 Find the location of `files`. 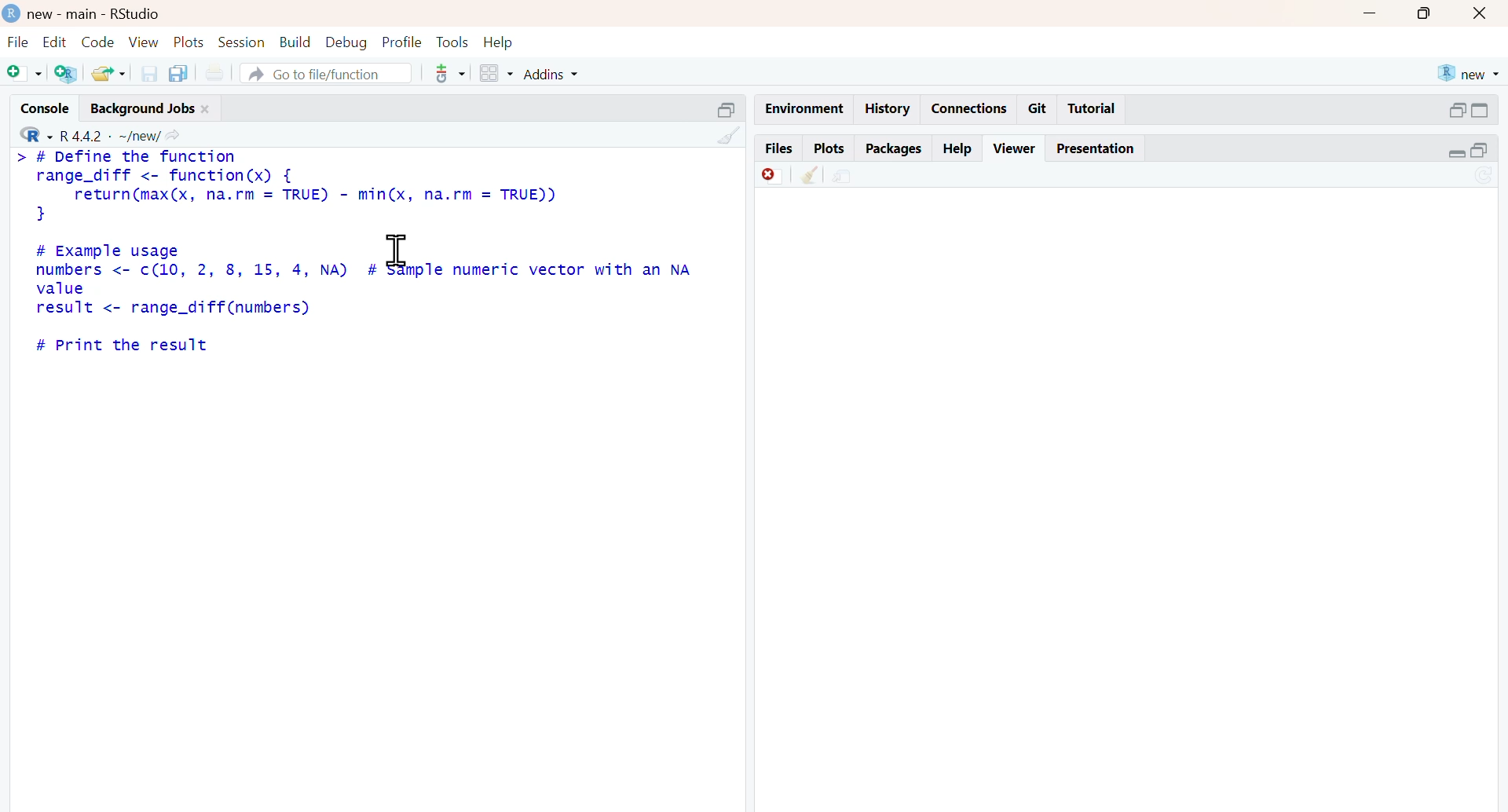

files is located at coordinates (778, 149).